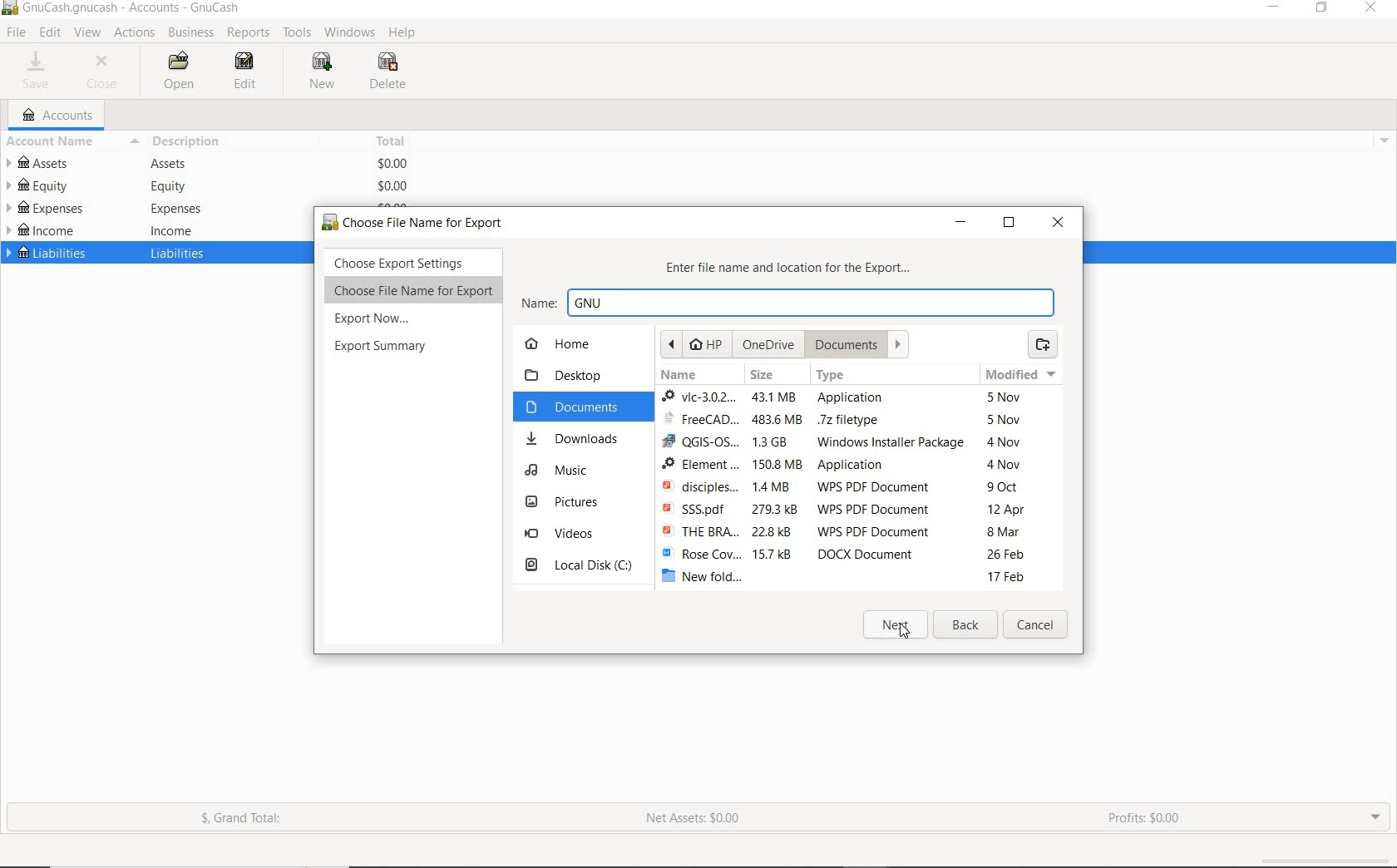 This screenshot has height=868, width=1397. I want to click on LIABILITIES, so click(46, 255).